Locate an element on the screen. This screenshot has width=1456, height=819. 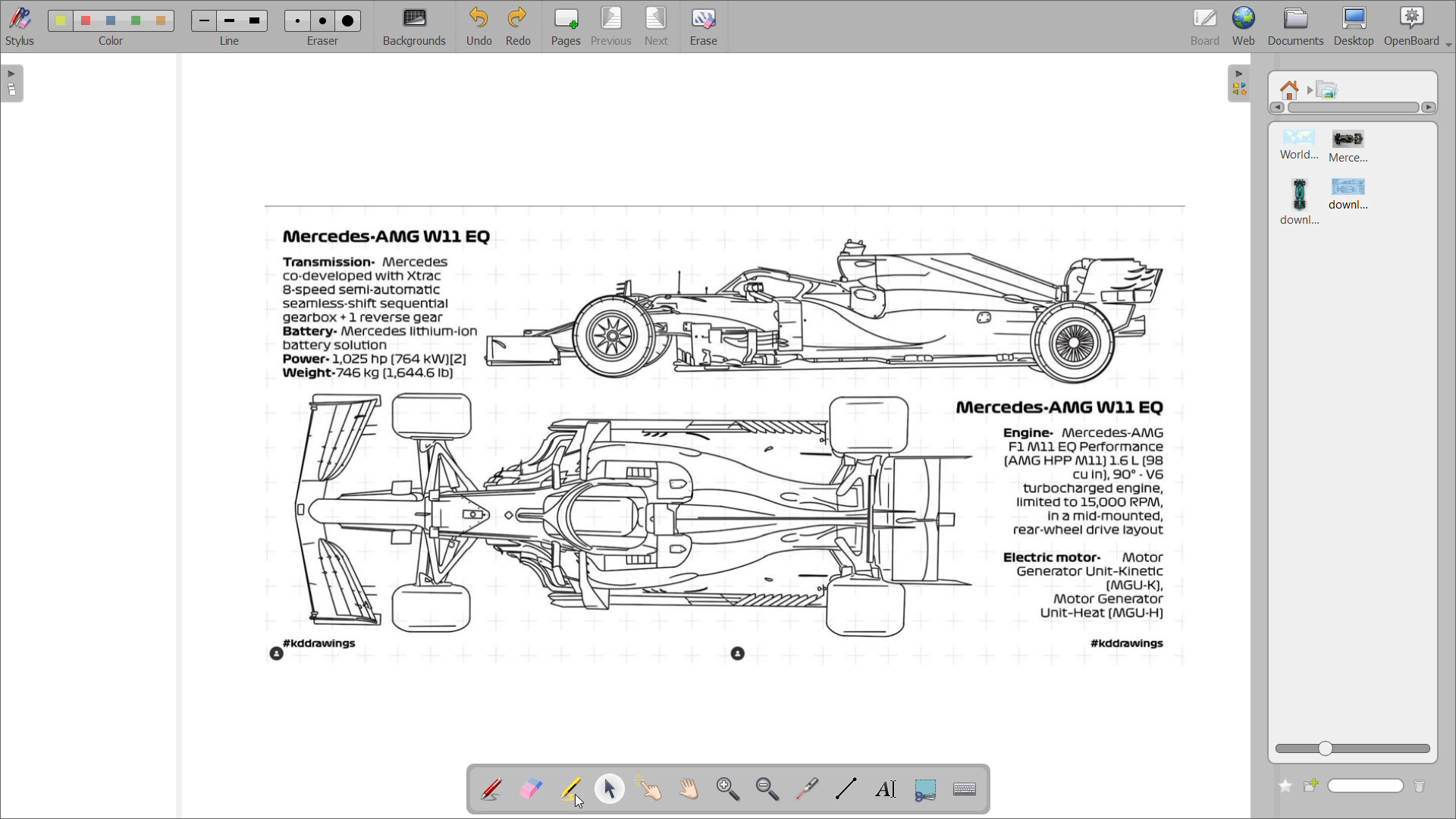
stylus is located at coordinates (20, 27).